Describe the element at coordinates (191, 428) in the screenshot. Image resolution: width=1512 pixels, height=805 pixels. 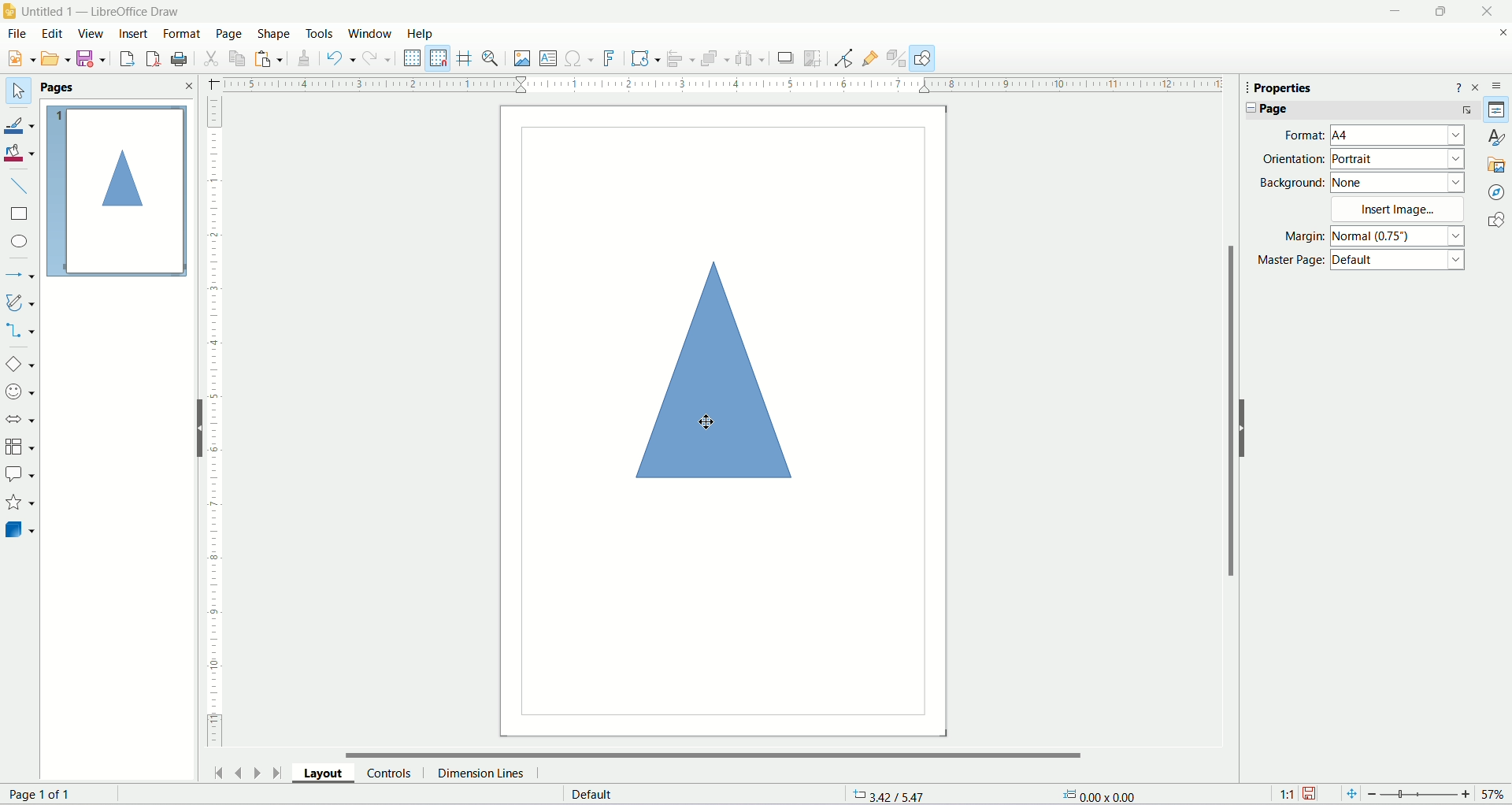
I see `Hide` at that location.